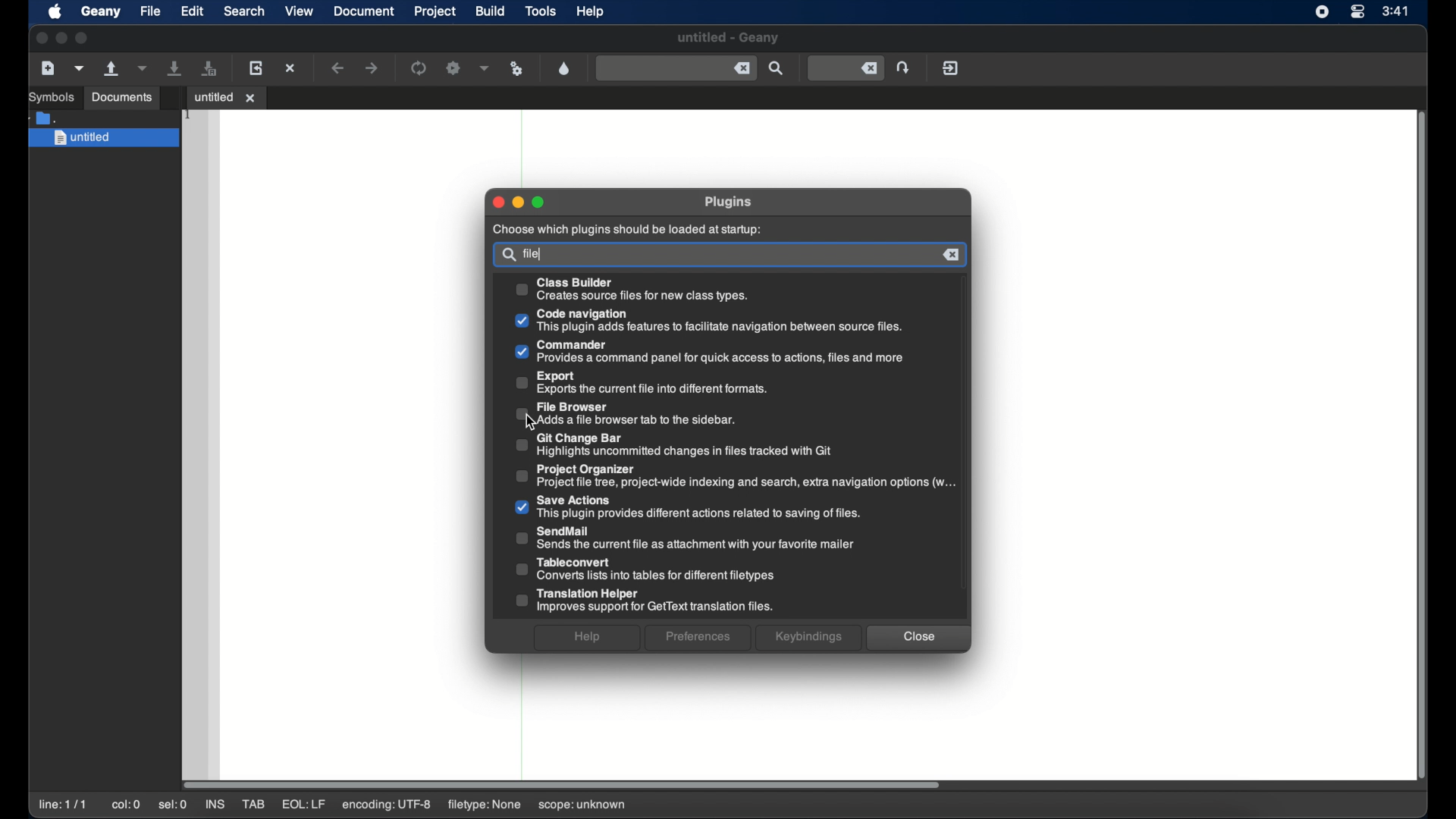  Describe the element at coordinates (121, 98) in the screenshot. I see `documents` at that location.